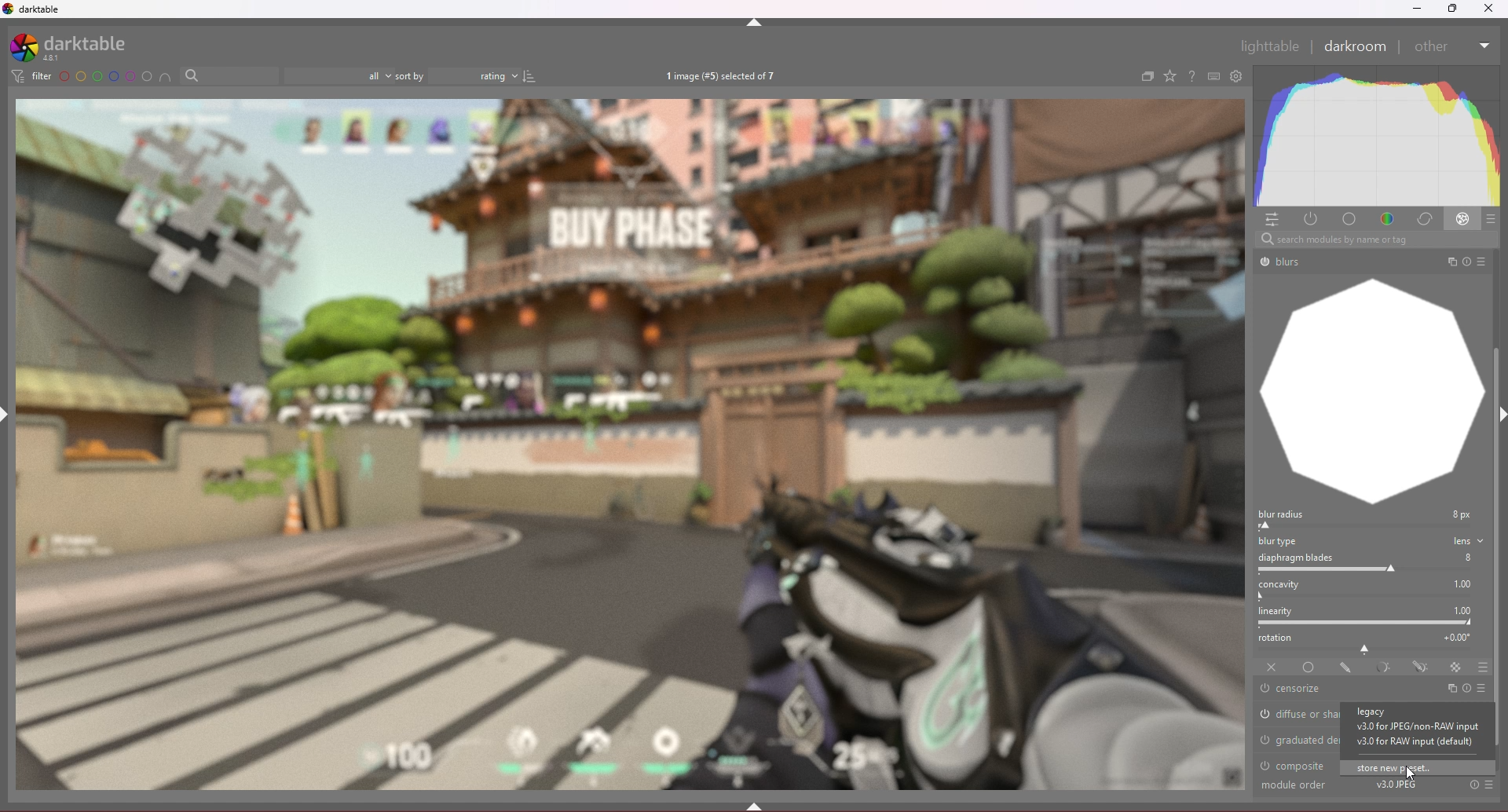 This screenshot has width=1508, height=812. I want to click on linearity, so click(1371, 616).